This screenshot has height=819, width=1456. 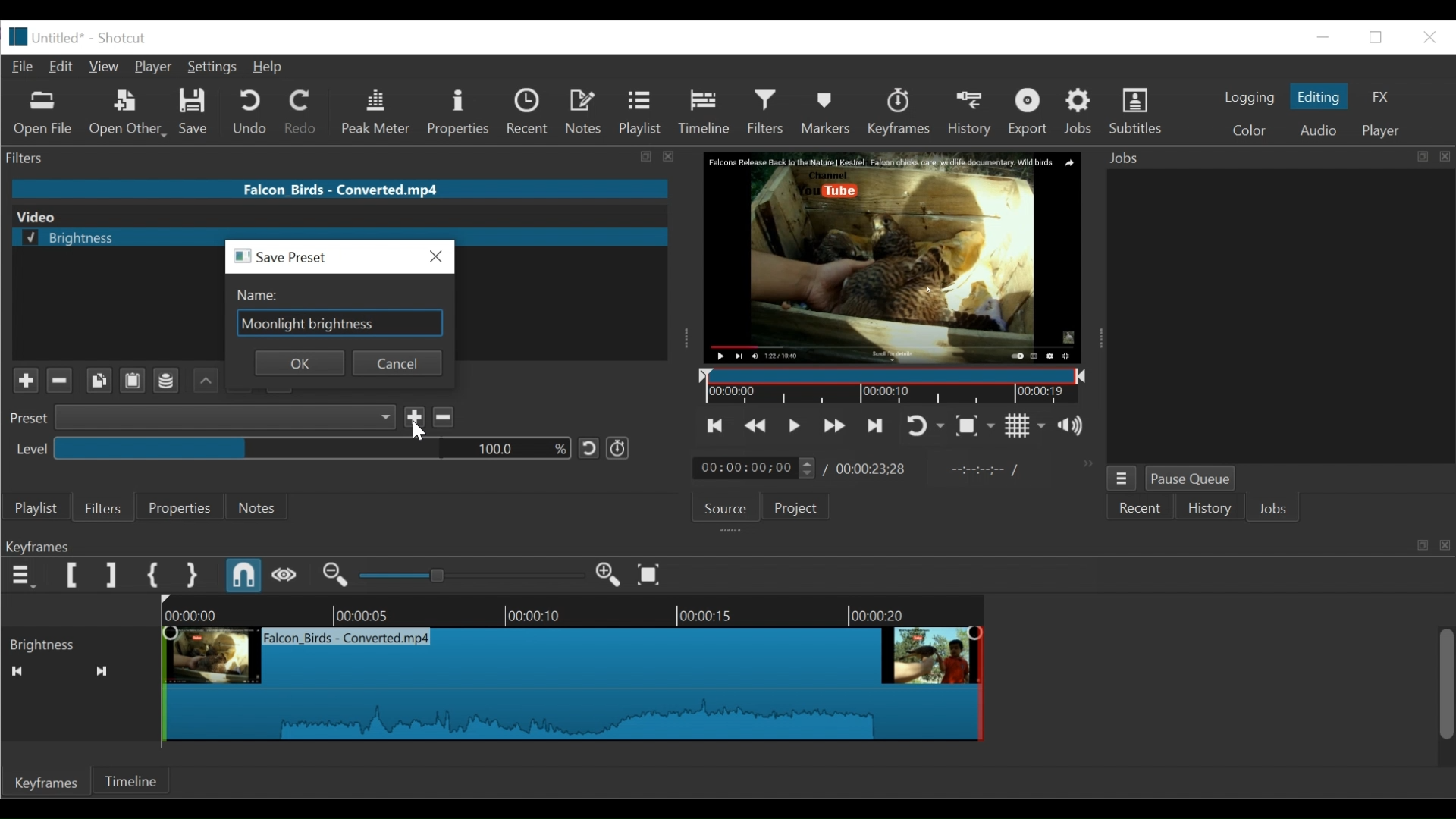 What do you see at coordinates (61, 67) in the screenshot?
I see `Edit` at bounding box center [61, 67].